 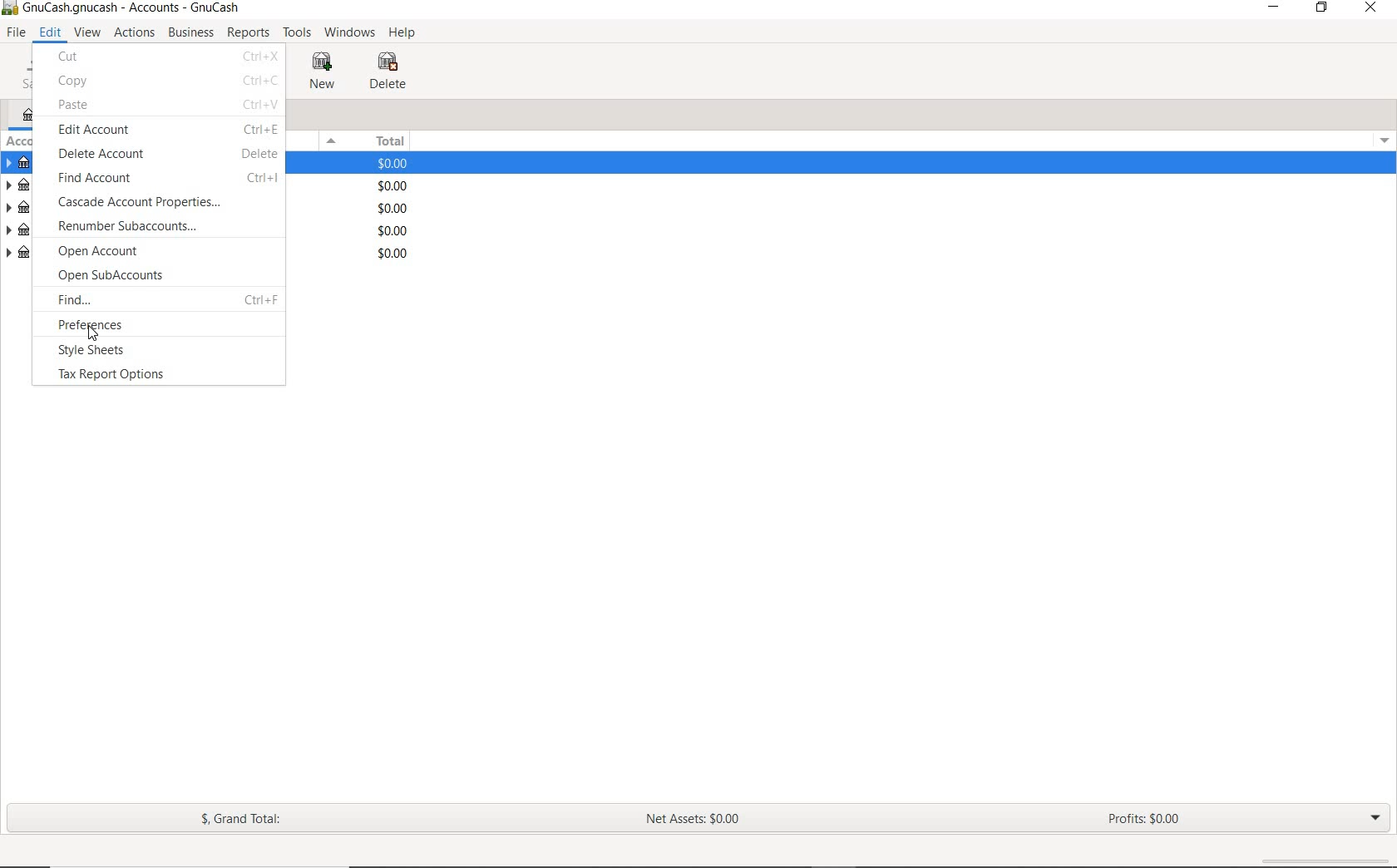 I want to click on DELETE, so click(x=388, y=71).